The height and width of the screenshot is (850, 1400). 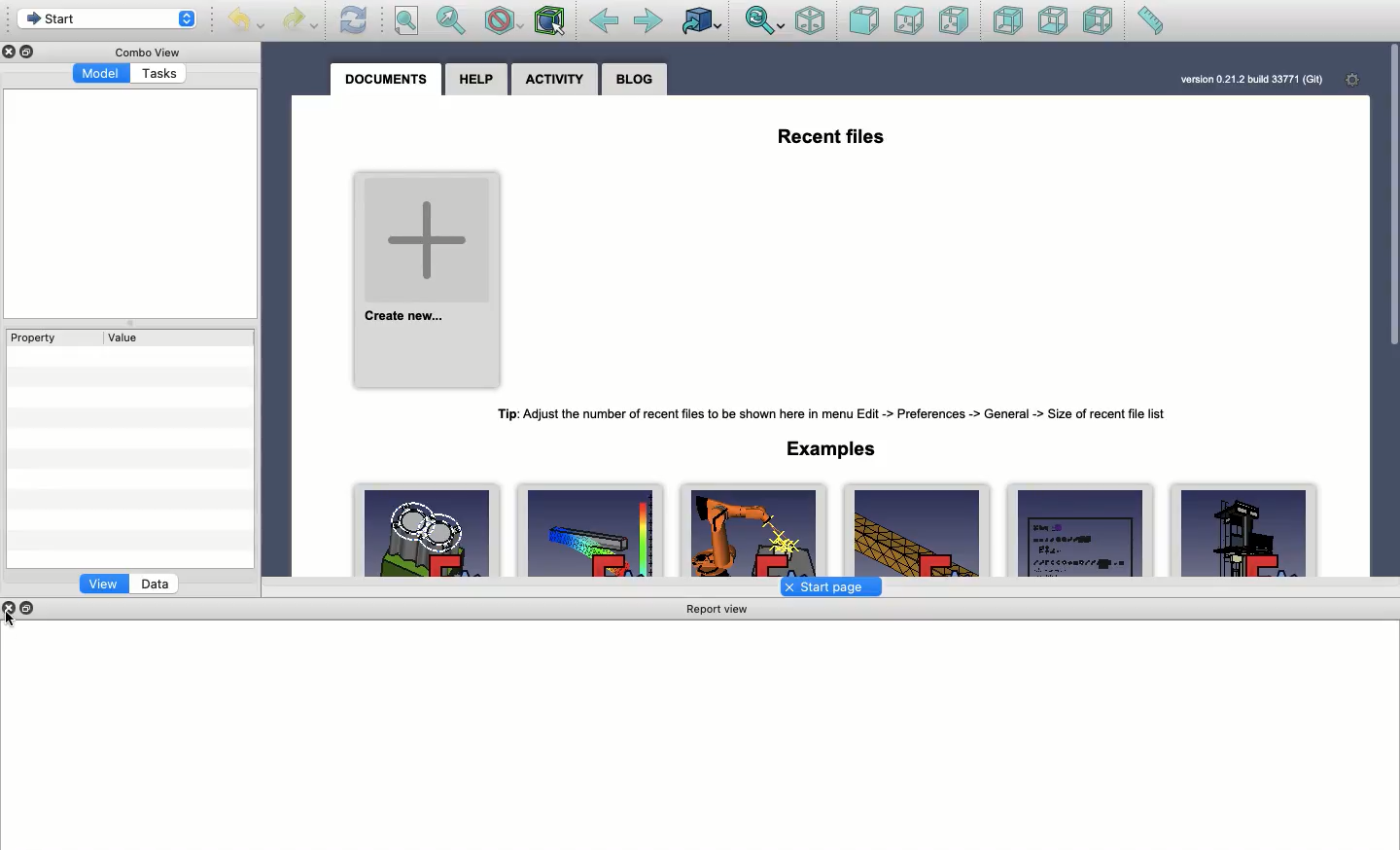 What do you see at coordinates (594, 533) in the screenshot?
I see `FemCalculixCantile ver3D.FCStd` at bounding box center [594, 533].